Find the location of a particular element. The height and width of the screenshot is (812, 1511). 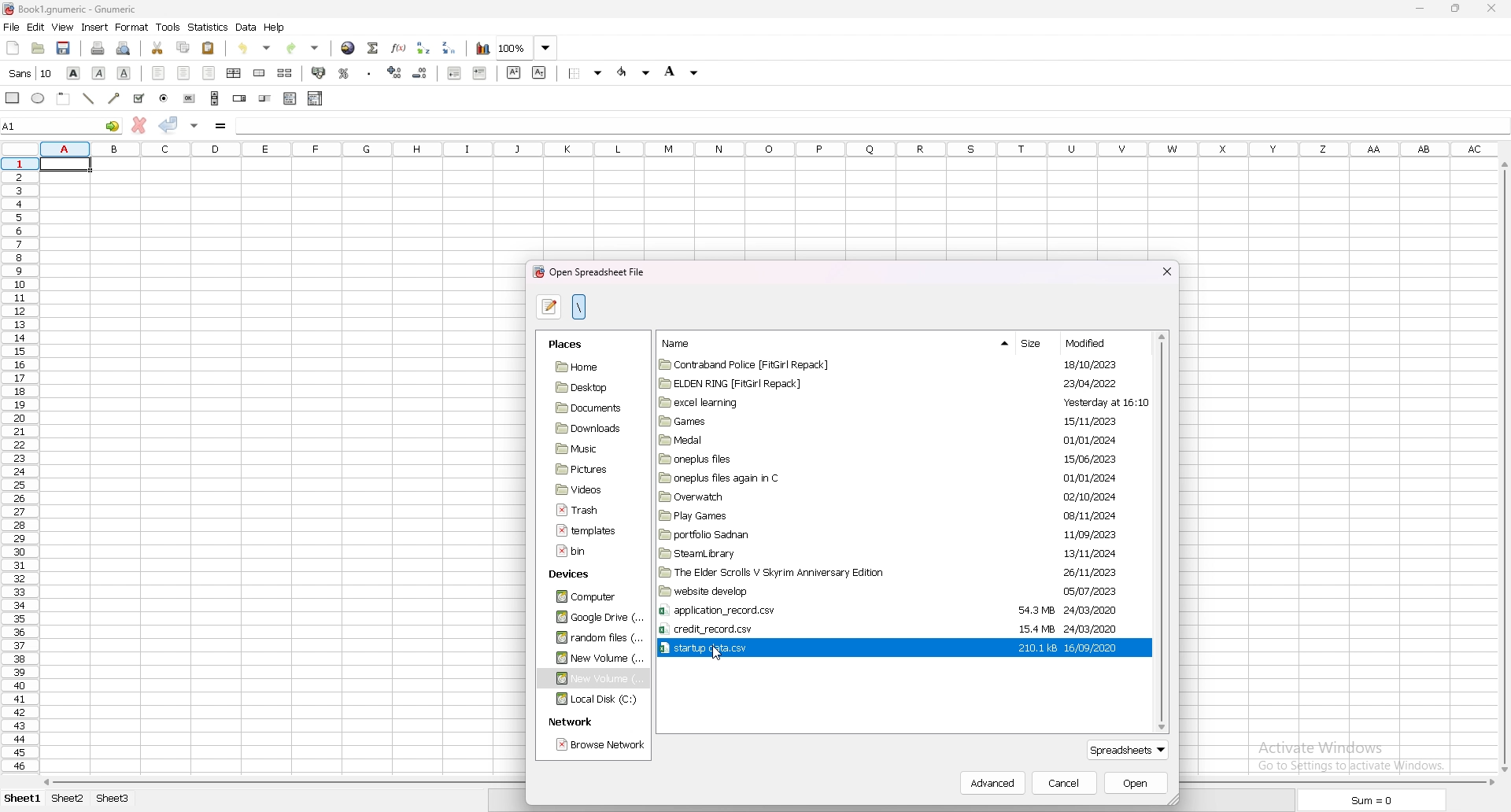

24/03/2020 is located at coordinates (1093, 609).